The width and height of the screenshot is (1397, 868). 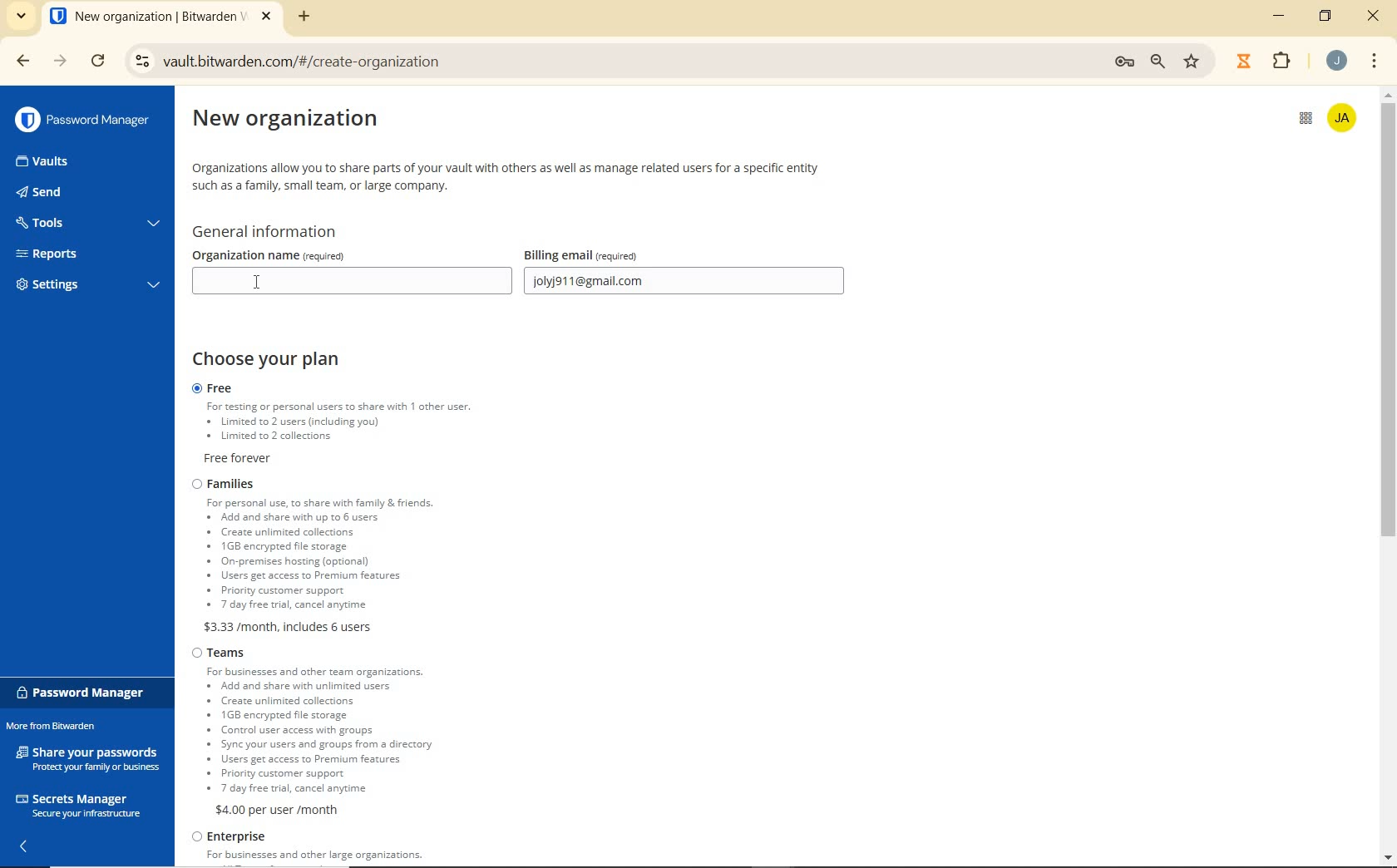 I want to click on account name, so click(x=1345, y=116).